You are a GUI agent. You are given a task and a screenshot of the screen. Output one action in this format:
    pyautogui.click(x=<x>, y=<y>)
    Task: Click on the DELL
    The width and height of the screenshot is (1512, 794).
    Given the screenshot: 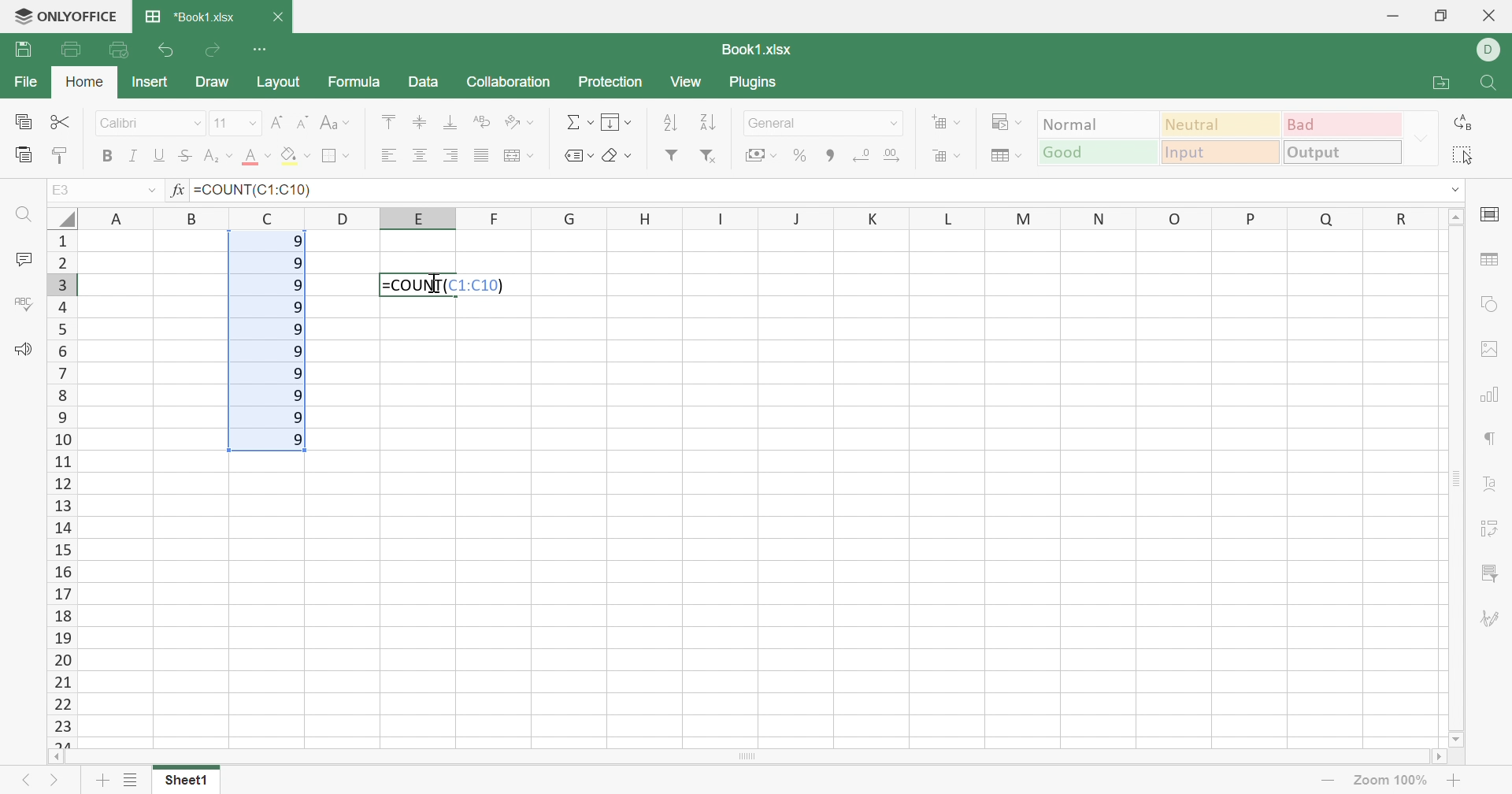 What is the action you would take?
    pyautogui.click(x=1493, y=48)
    